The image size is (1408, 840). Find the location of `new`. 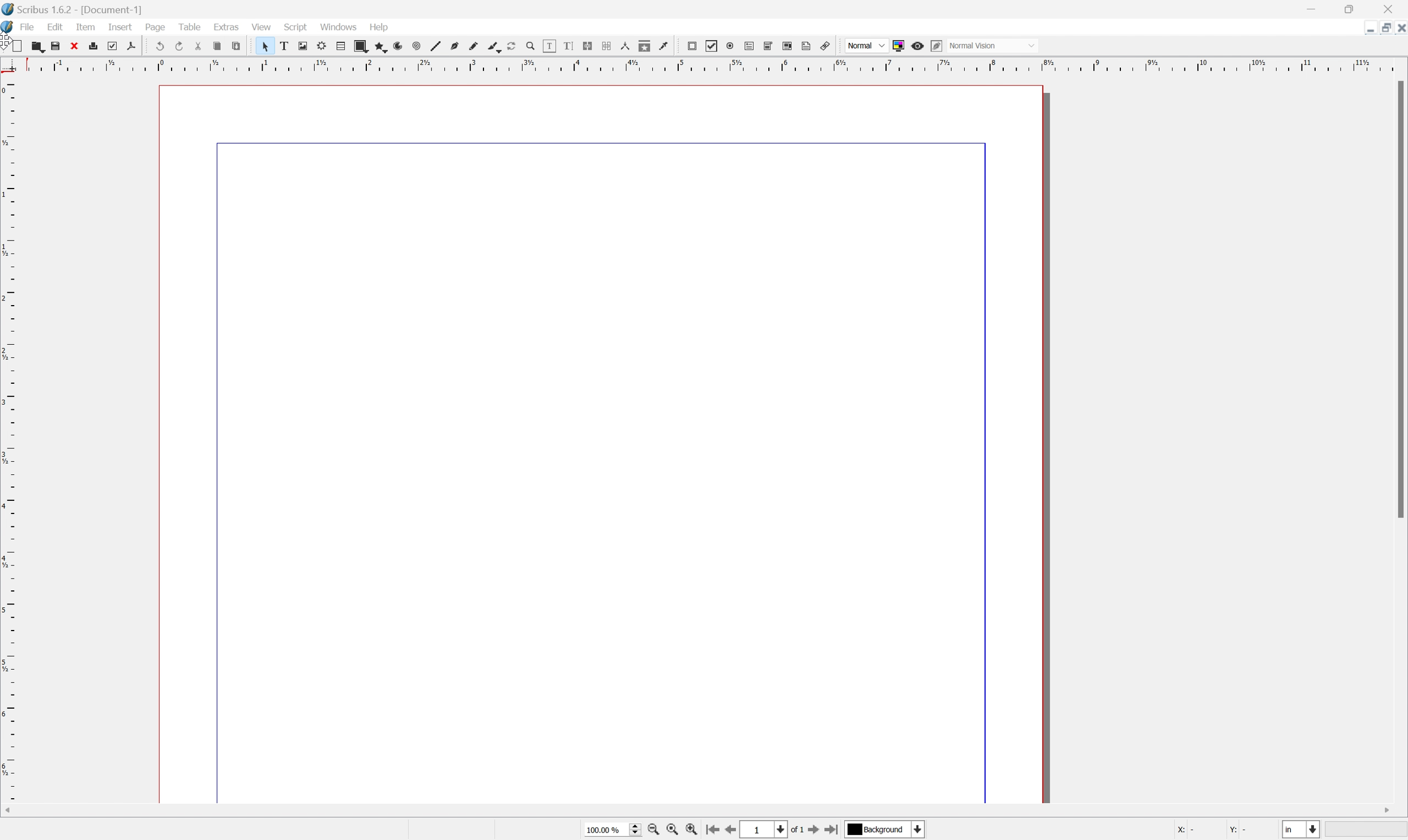

new is located at coordinates (18, 46).